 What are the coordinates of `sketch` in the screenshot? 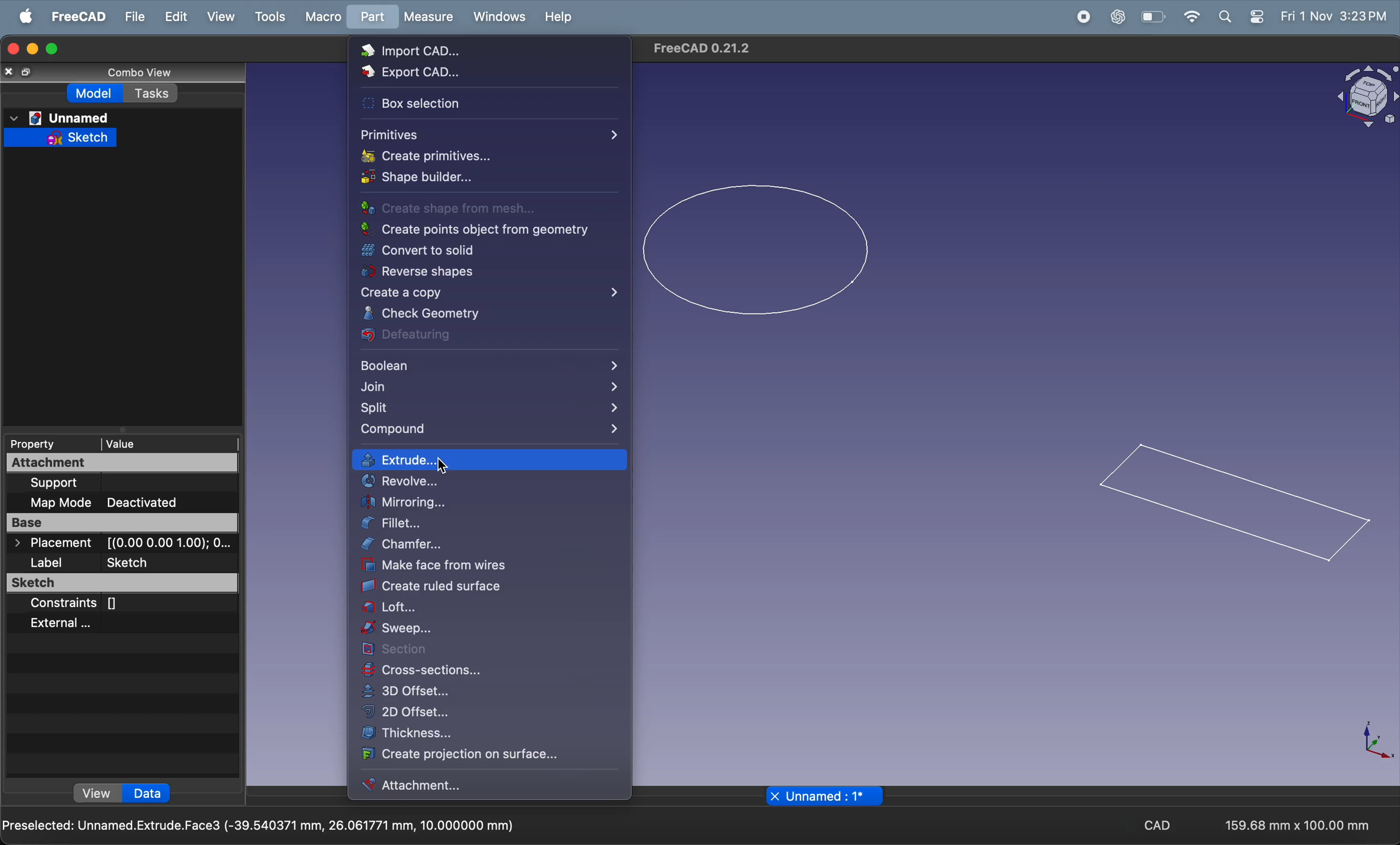 It's located at (60, 137).